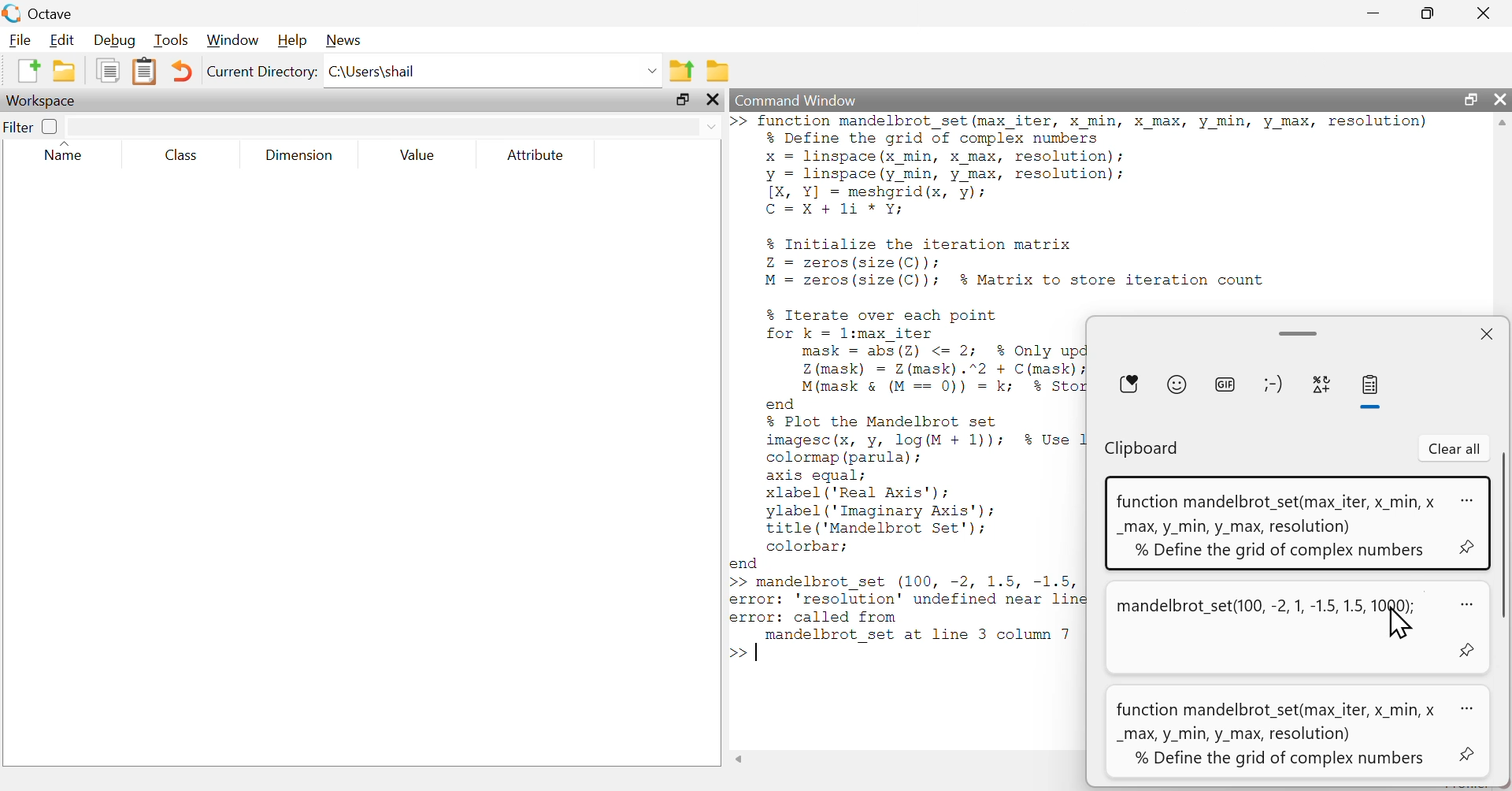 This screenshot has width=1512, height=791. I want to click on Command Window, so click(1060, 99).